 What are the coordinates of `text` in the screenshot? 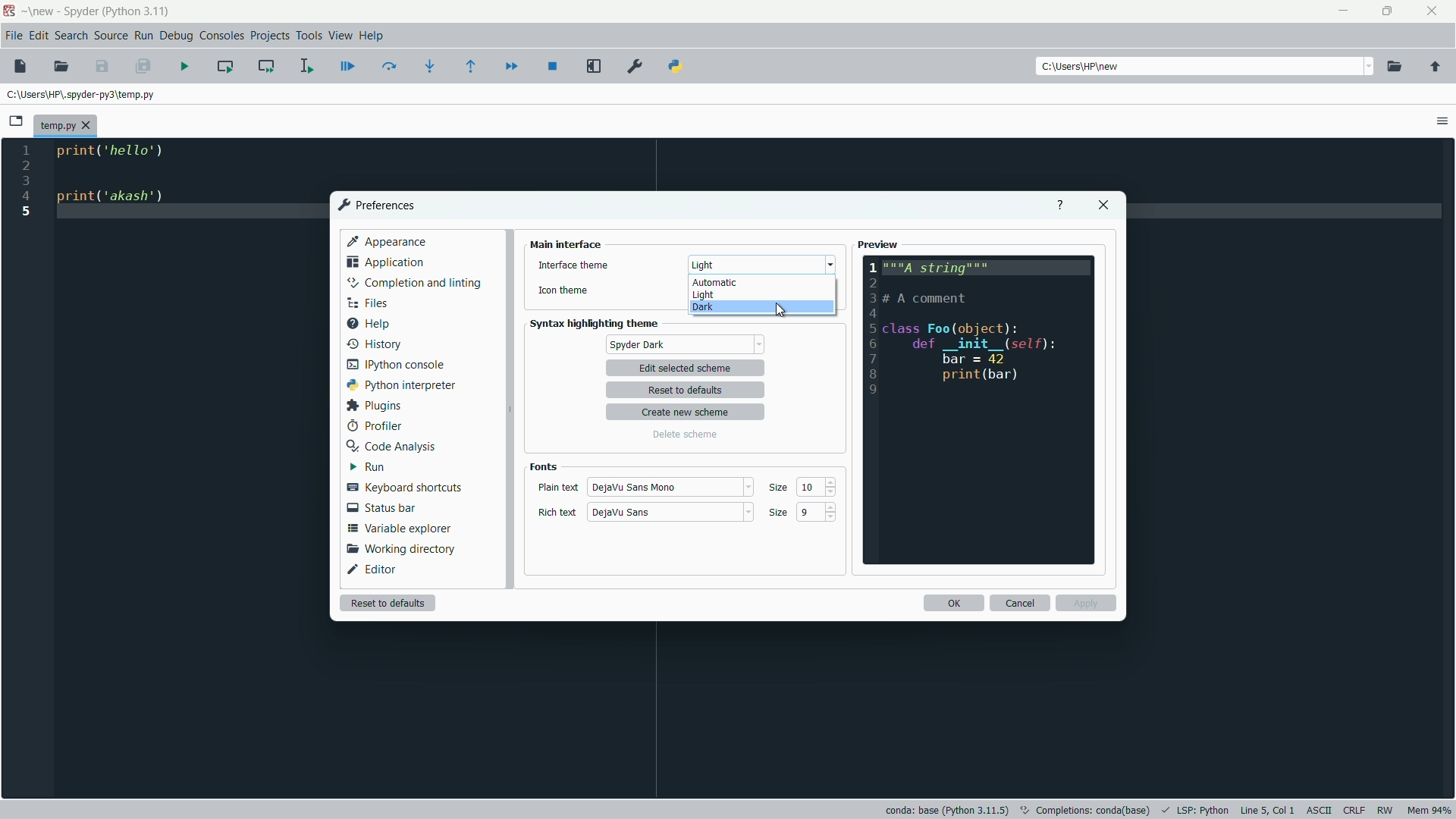 It's located at (1087, 808).